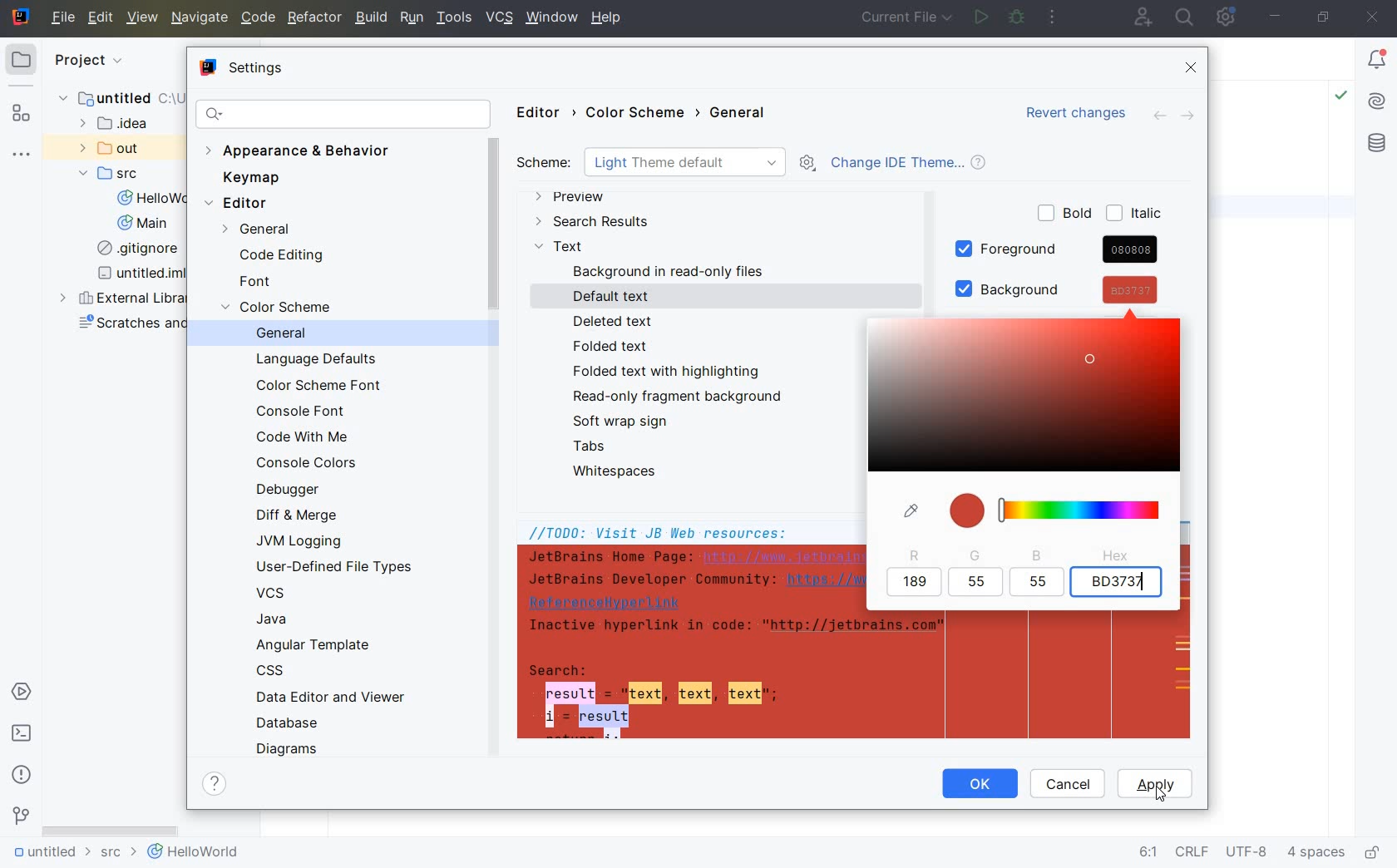  Describe the element at coordinates (980, 786) in the screenshot. I see `OK` at that location.